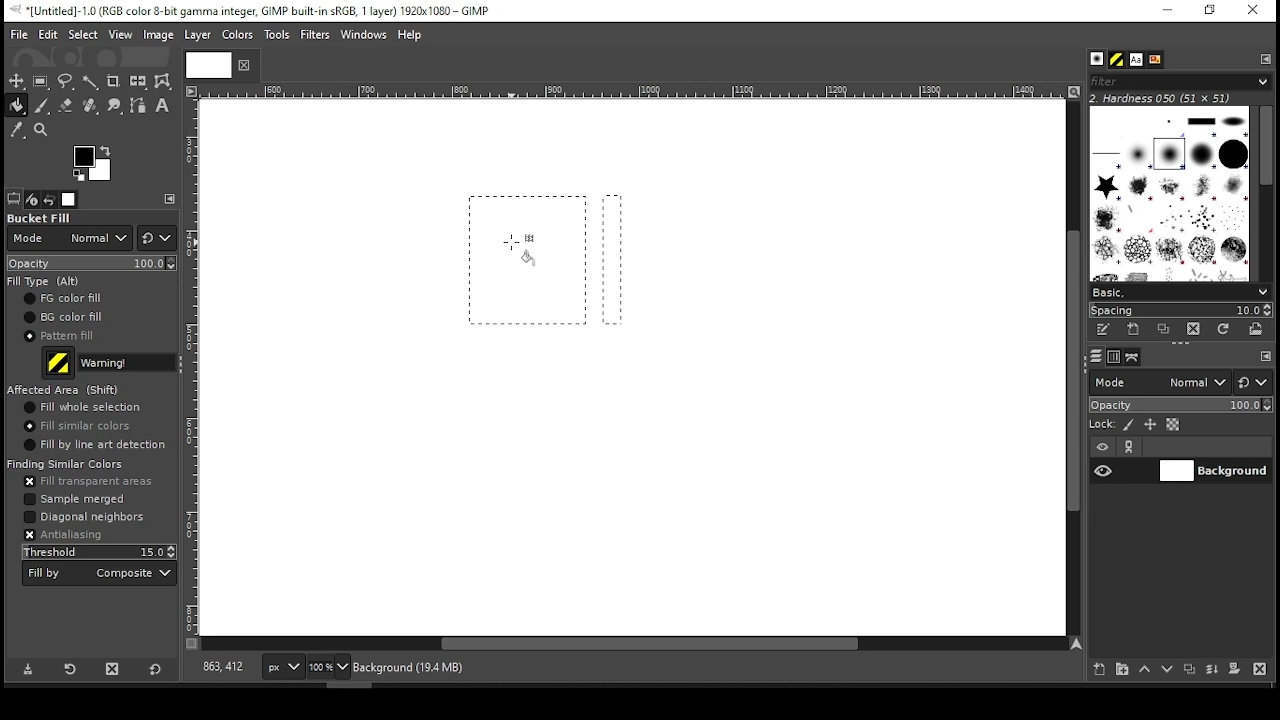 This screenshot has height=720, width=1280. What do you see at coordinates (32, 199) in the screenshot?
I see `device status` at bounding box center [32, 199].